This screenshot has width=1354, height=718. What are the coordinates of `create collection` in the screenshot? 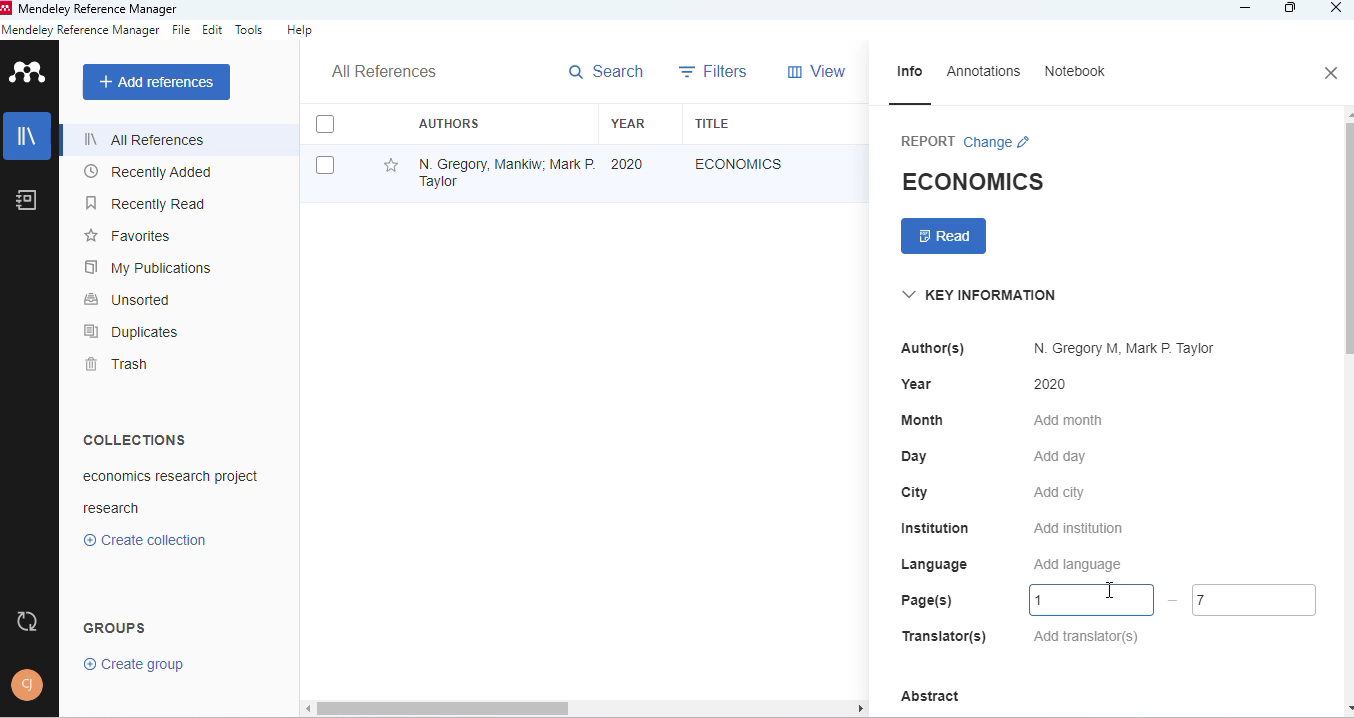 It's located at (145, 540).